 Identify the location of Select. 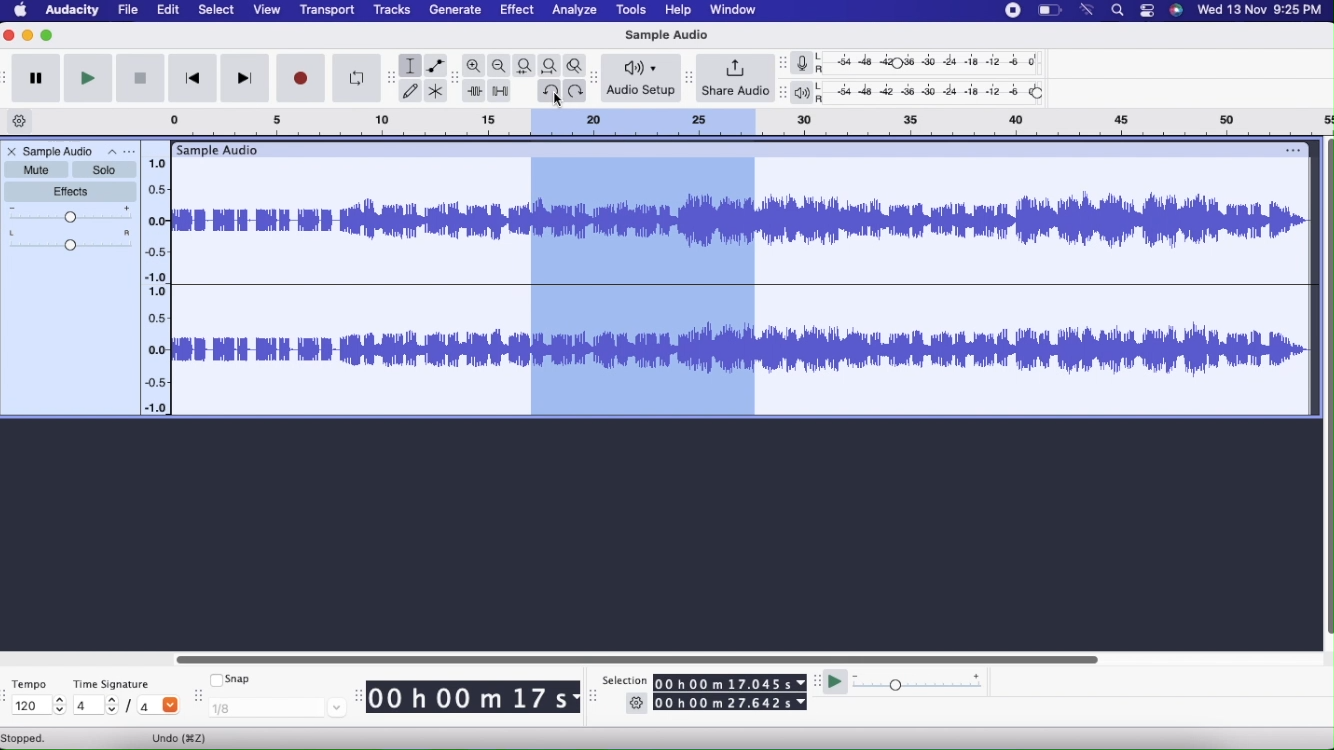
(217, 10).